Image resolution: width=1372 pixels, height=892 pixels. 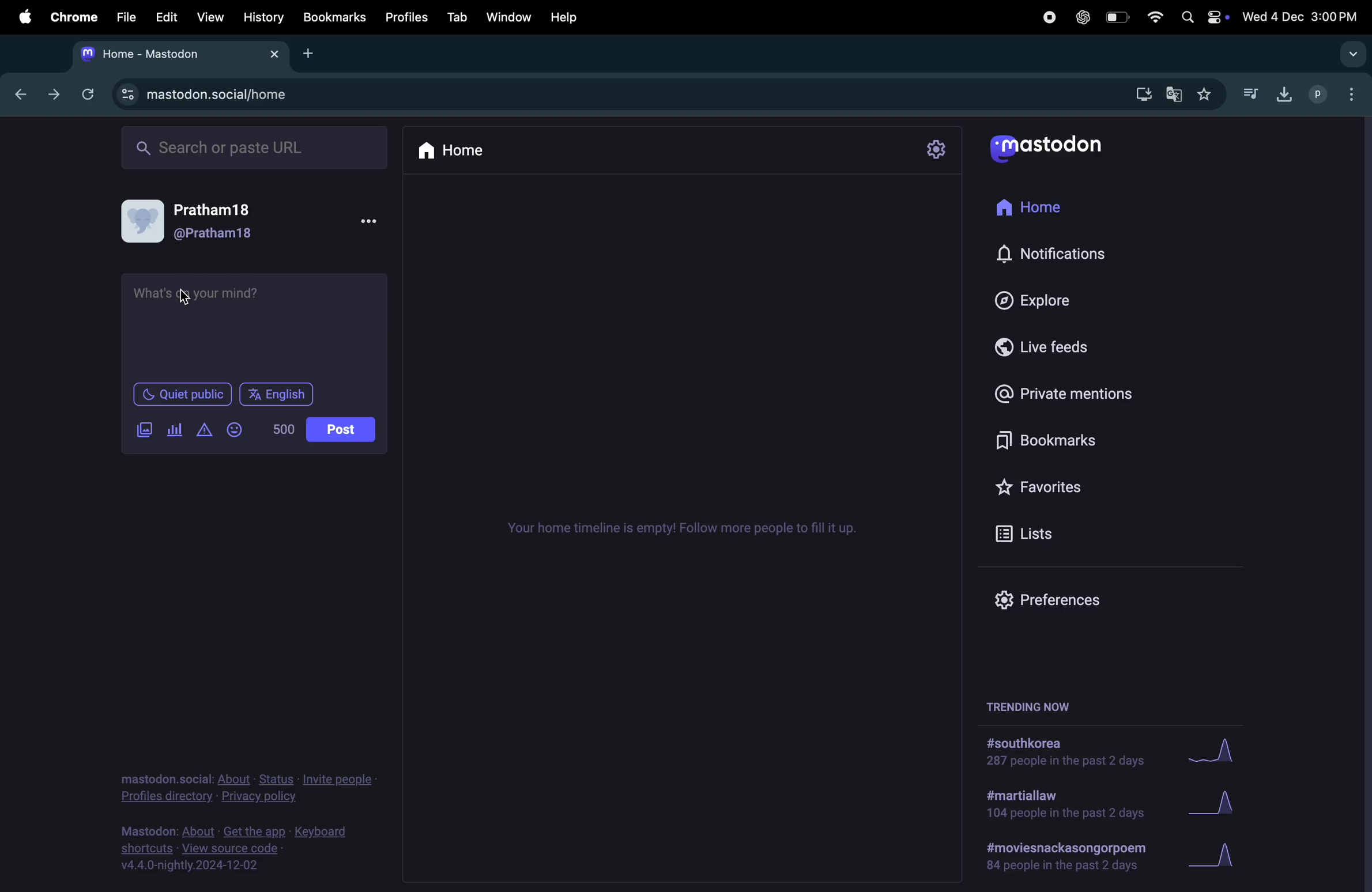 What do you see at coordinates (937, 150) in the screenshot?
I see `settings` at bounding box center [937, 150].